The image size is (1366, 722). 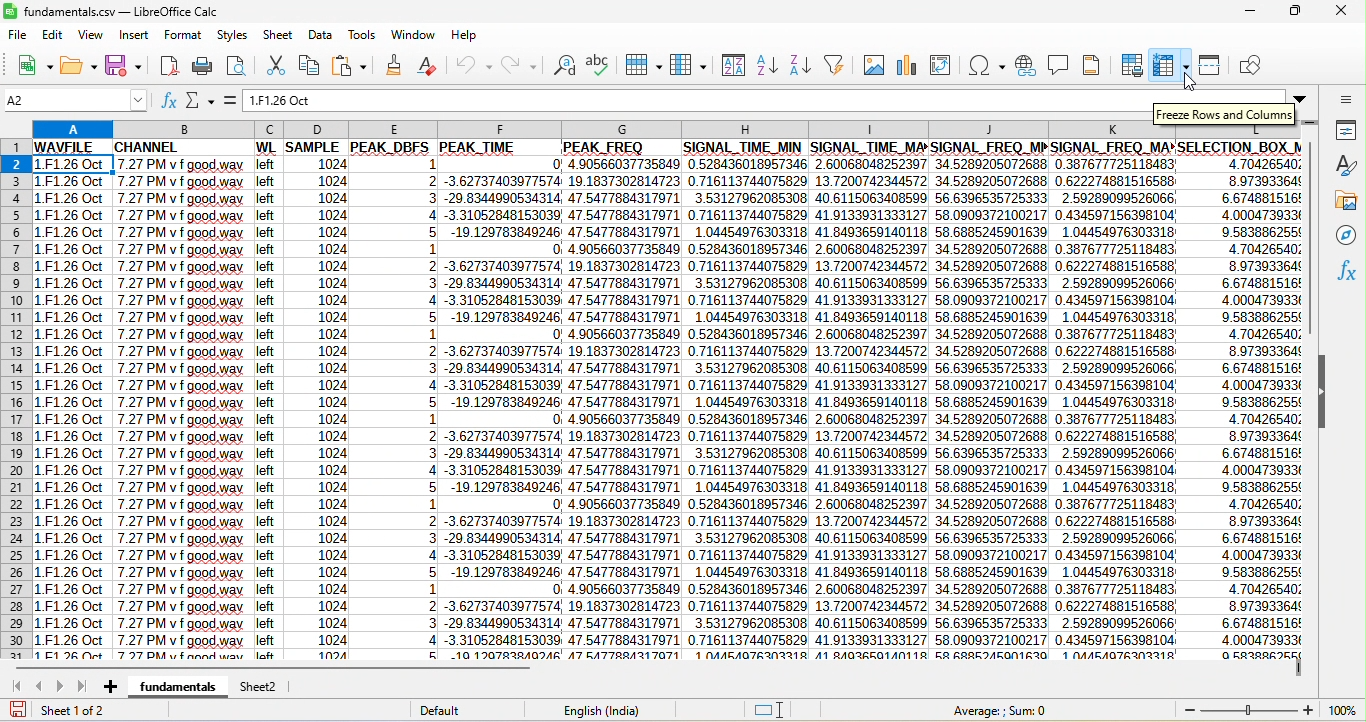 What do you see at coordinates (687, 65) in the screenshot?
I see `column` at bounding box center [687, 65].